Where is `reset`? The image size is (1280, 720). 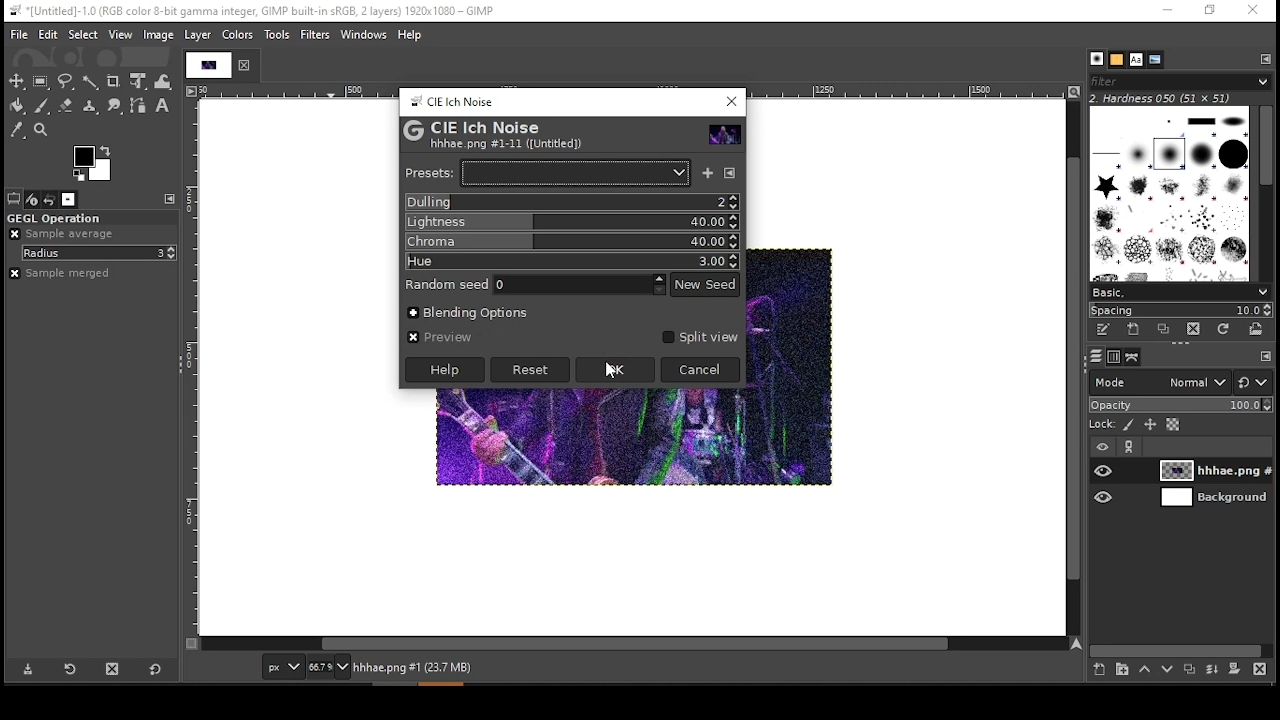 reset is located at coordinates (531, 370).